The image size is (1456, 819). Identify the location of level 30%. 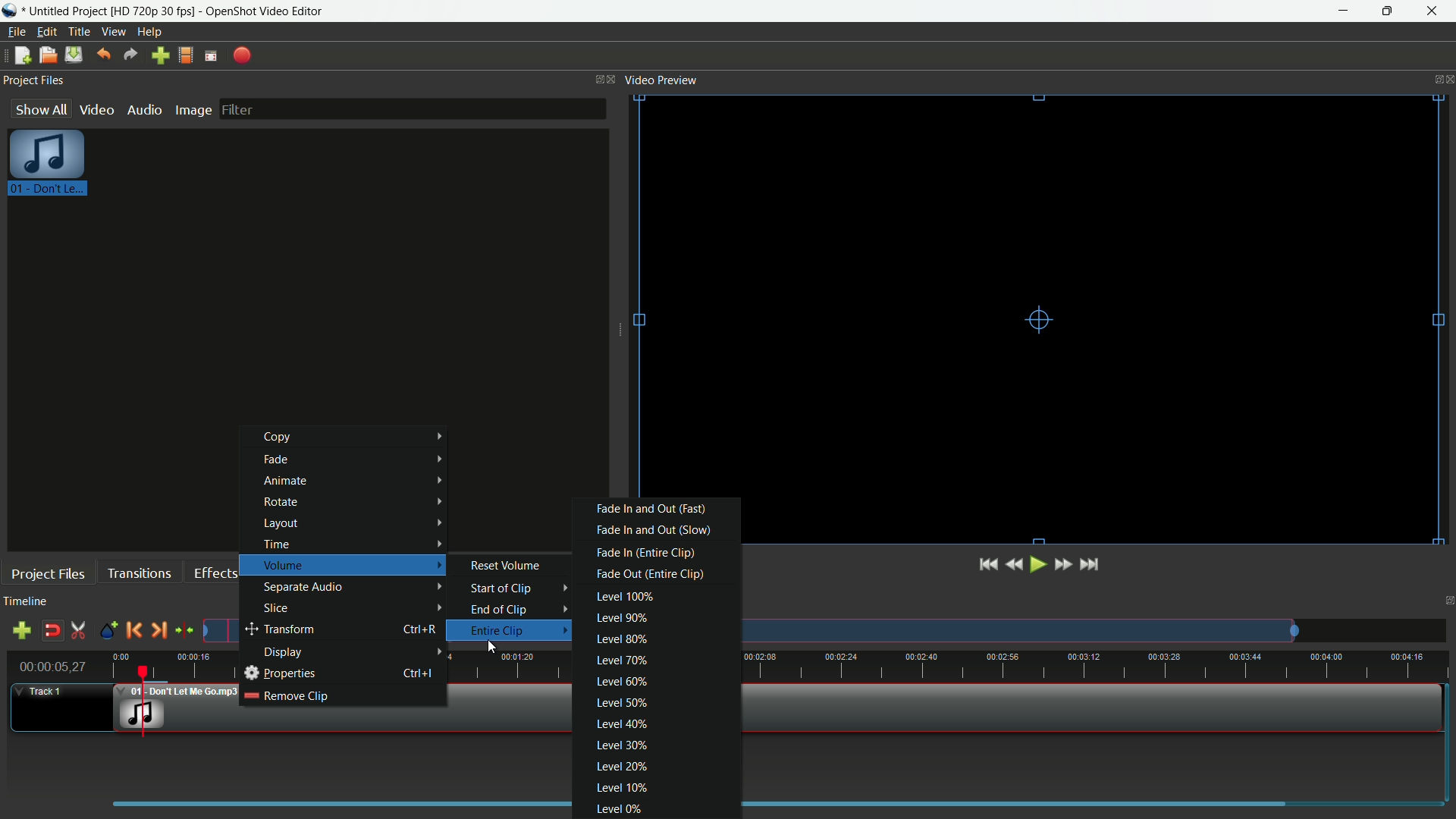
(620, 745).